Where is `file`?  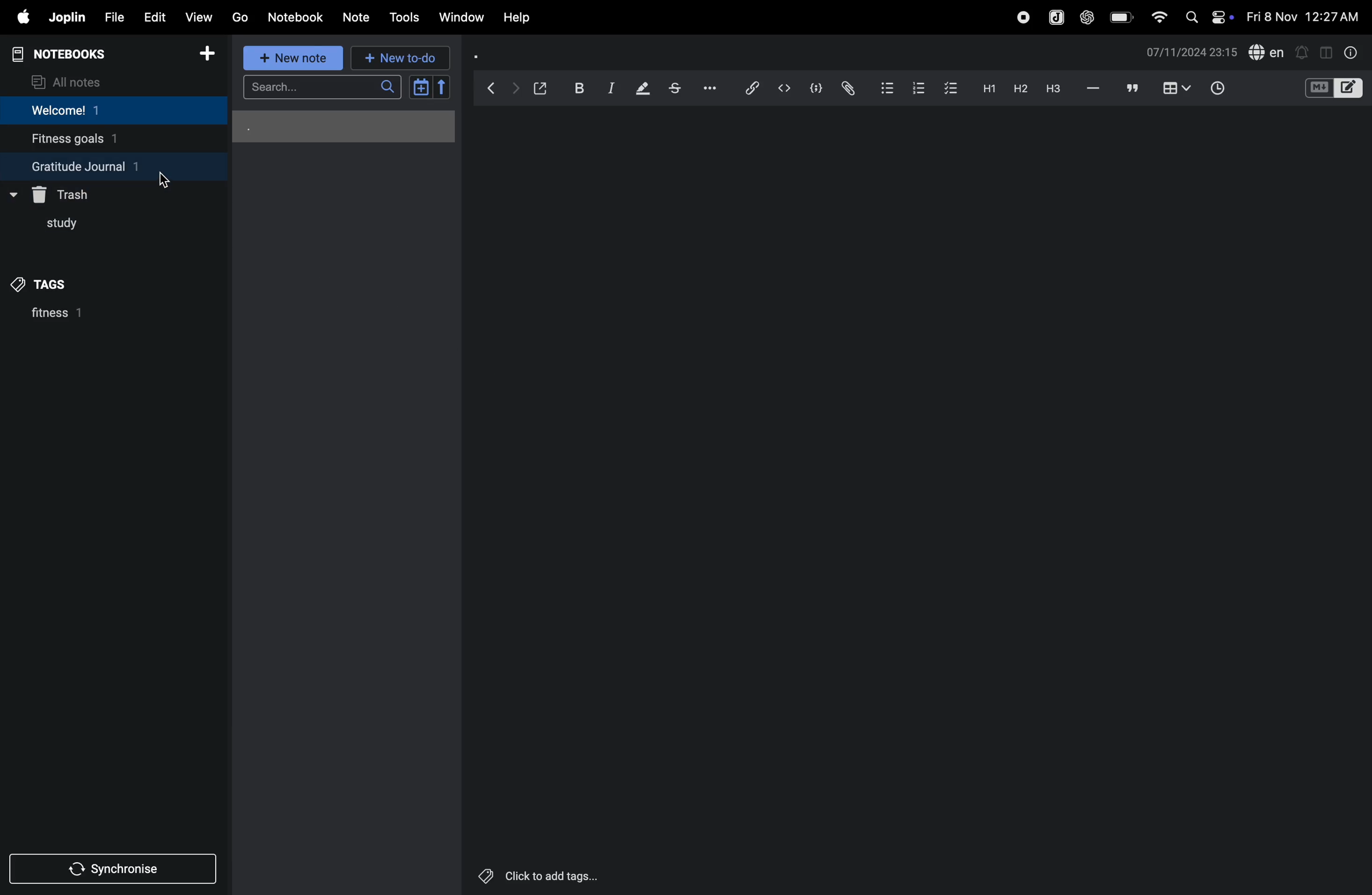
file is located at coordinates (114, 17).